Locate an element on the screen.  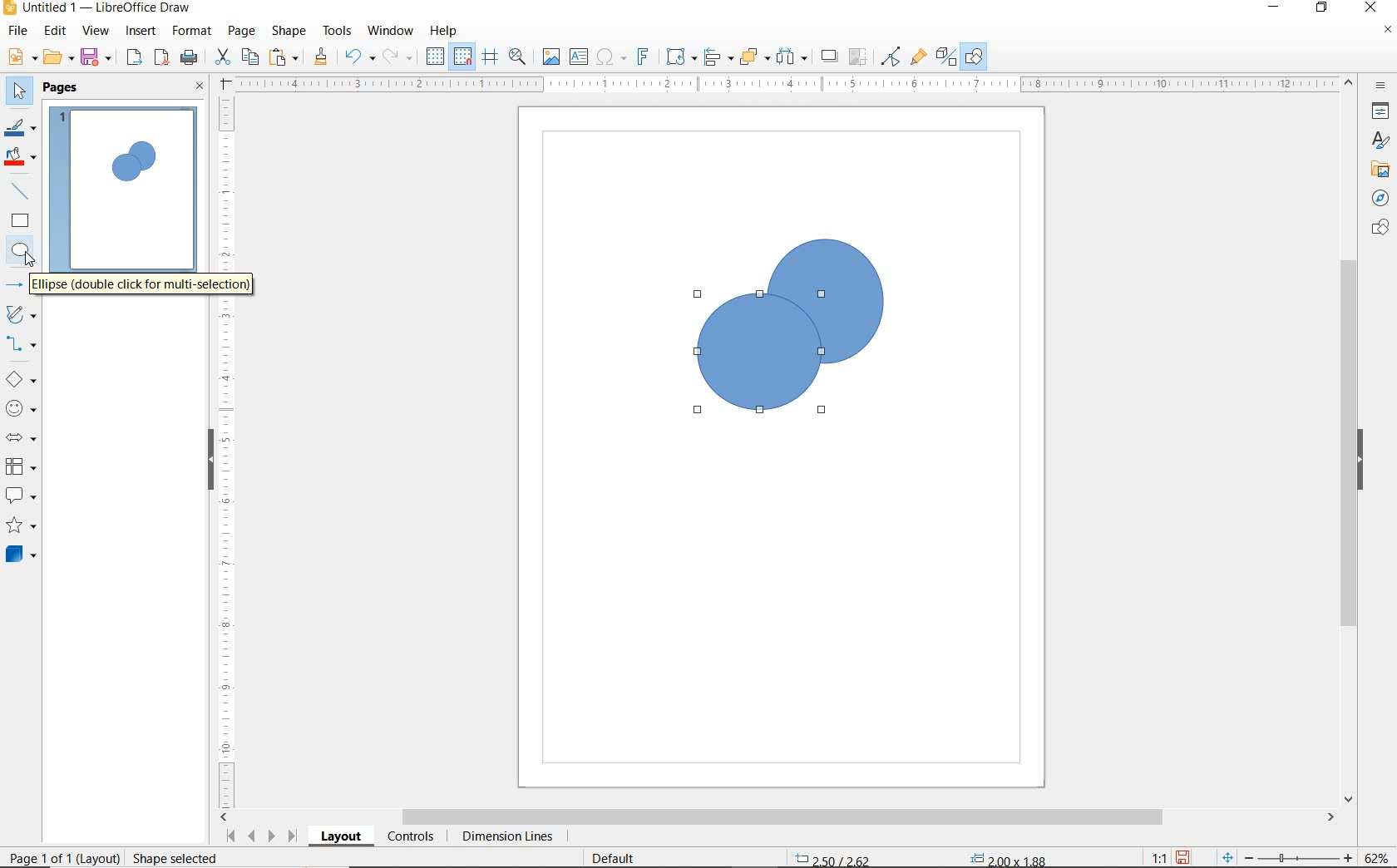
RESTORE DOWN is located at coordinates (1322, 8).